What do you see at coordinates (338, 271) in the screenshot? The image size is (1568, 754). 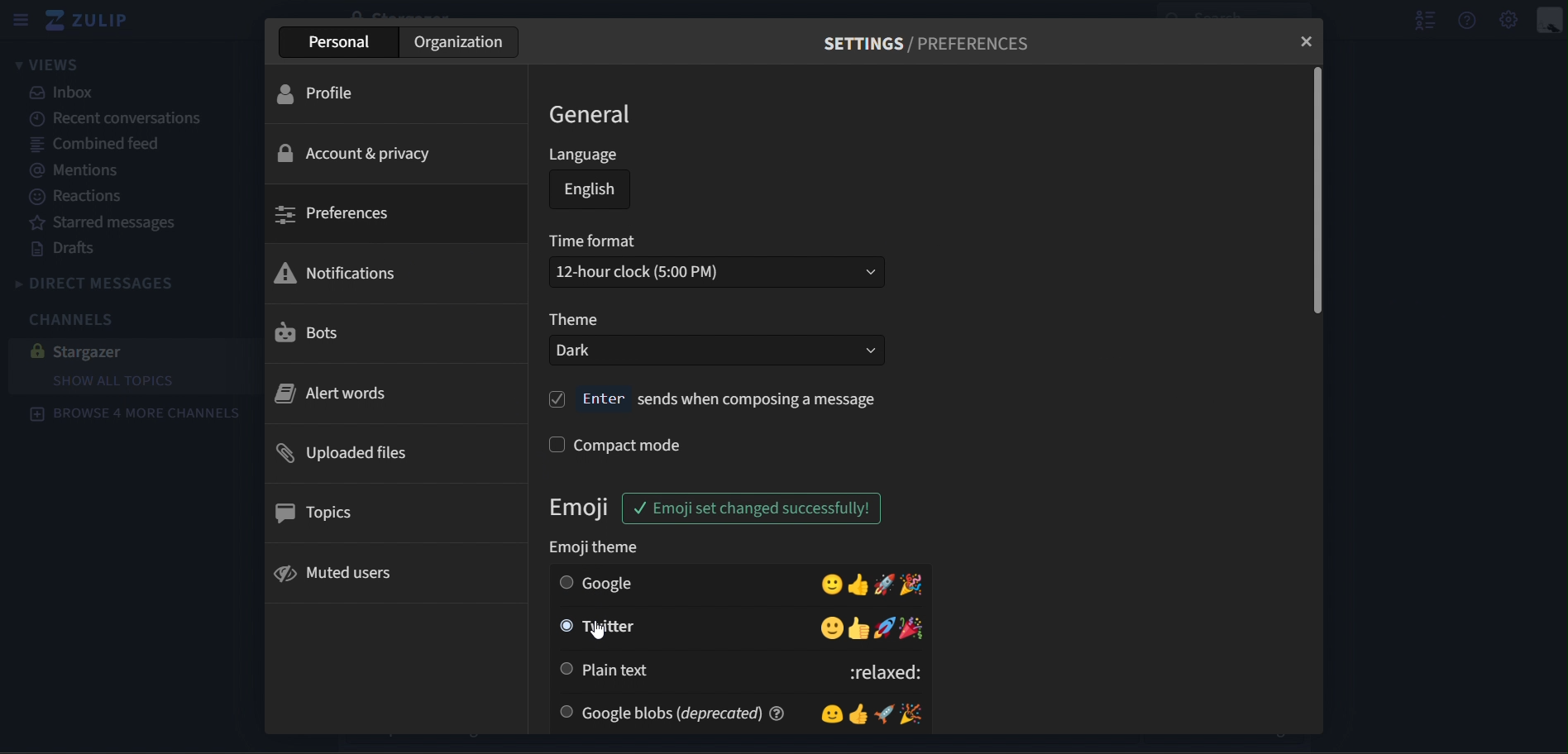 I see `notifications` at bounding box center [338, 271].